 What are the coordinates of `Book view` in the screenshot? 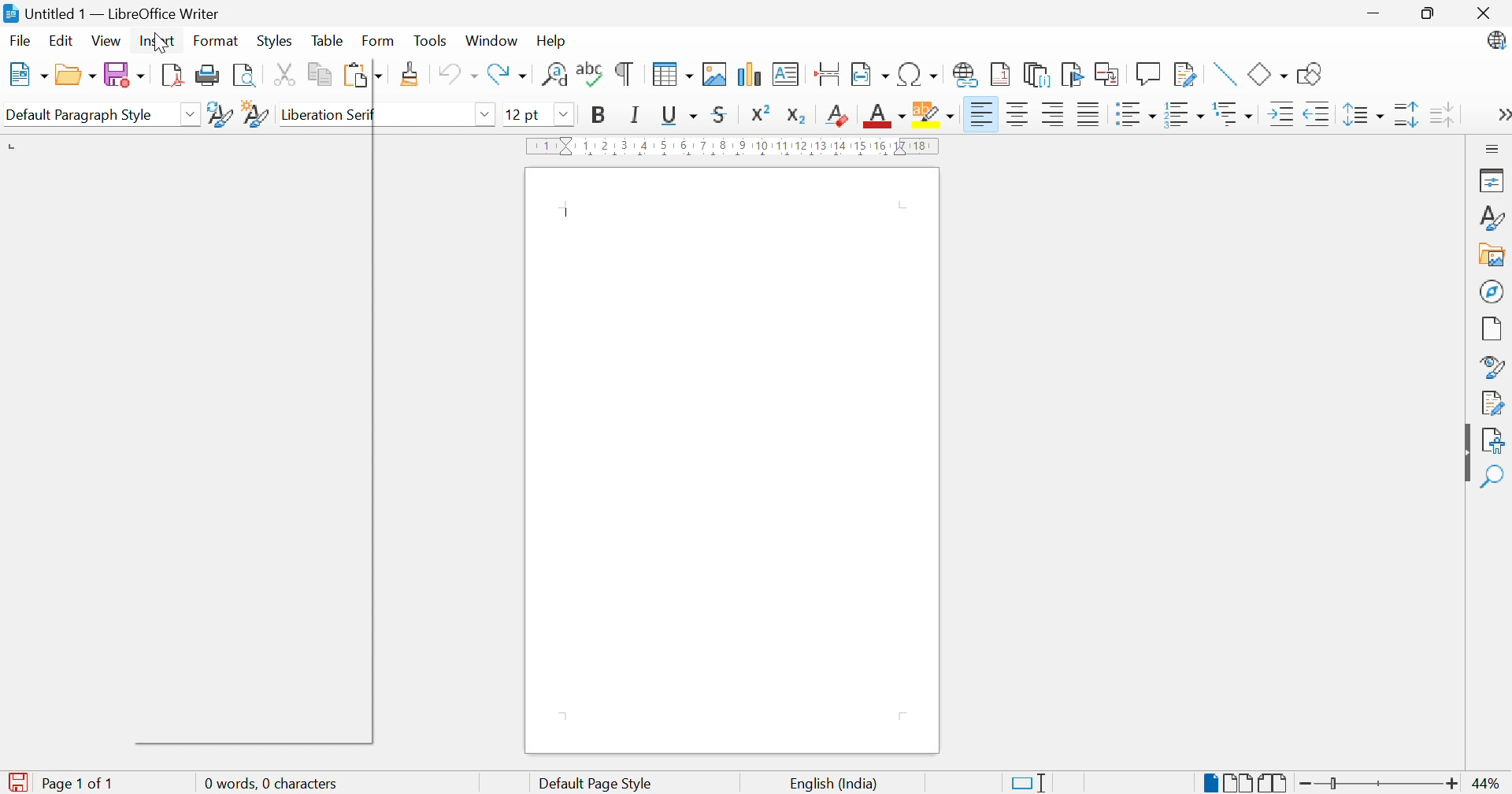 It's located at (1274, 782).